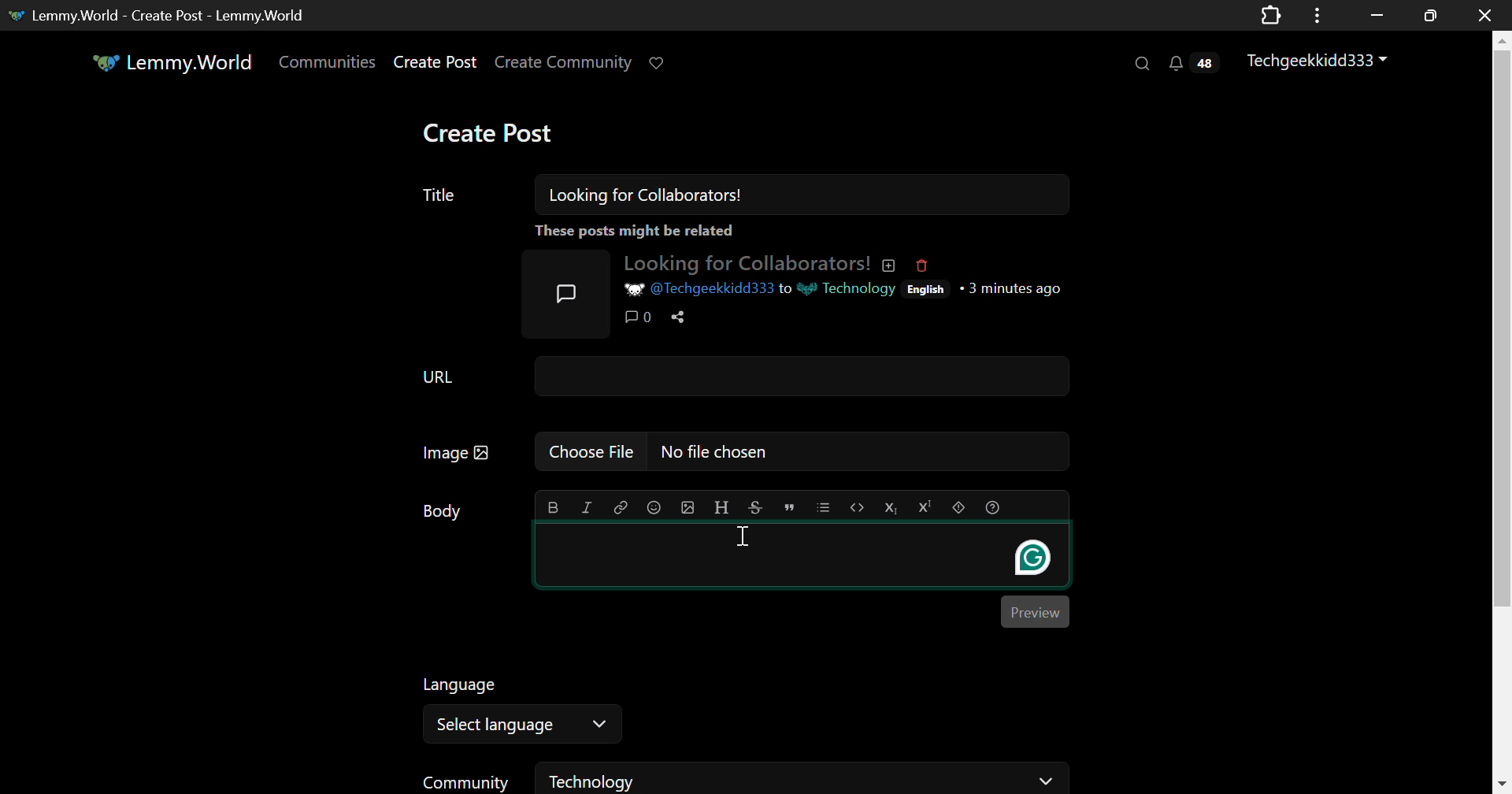  I want to click on subscript, so click(892, 507).